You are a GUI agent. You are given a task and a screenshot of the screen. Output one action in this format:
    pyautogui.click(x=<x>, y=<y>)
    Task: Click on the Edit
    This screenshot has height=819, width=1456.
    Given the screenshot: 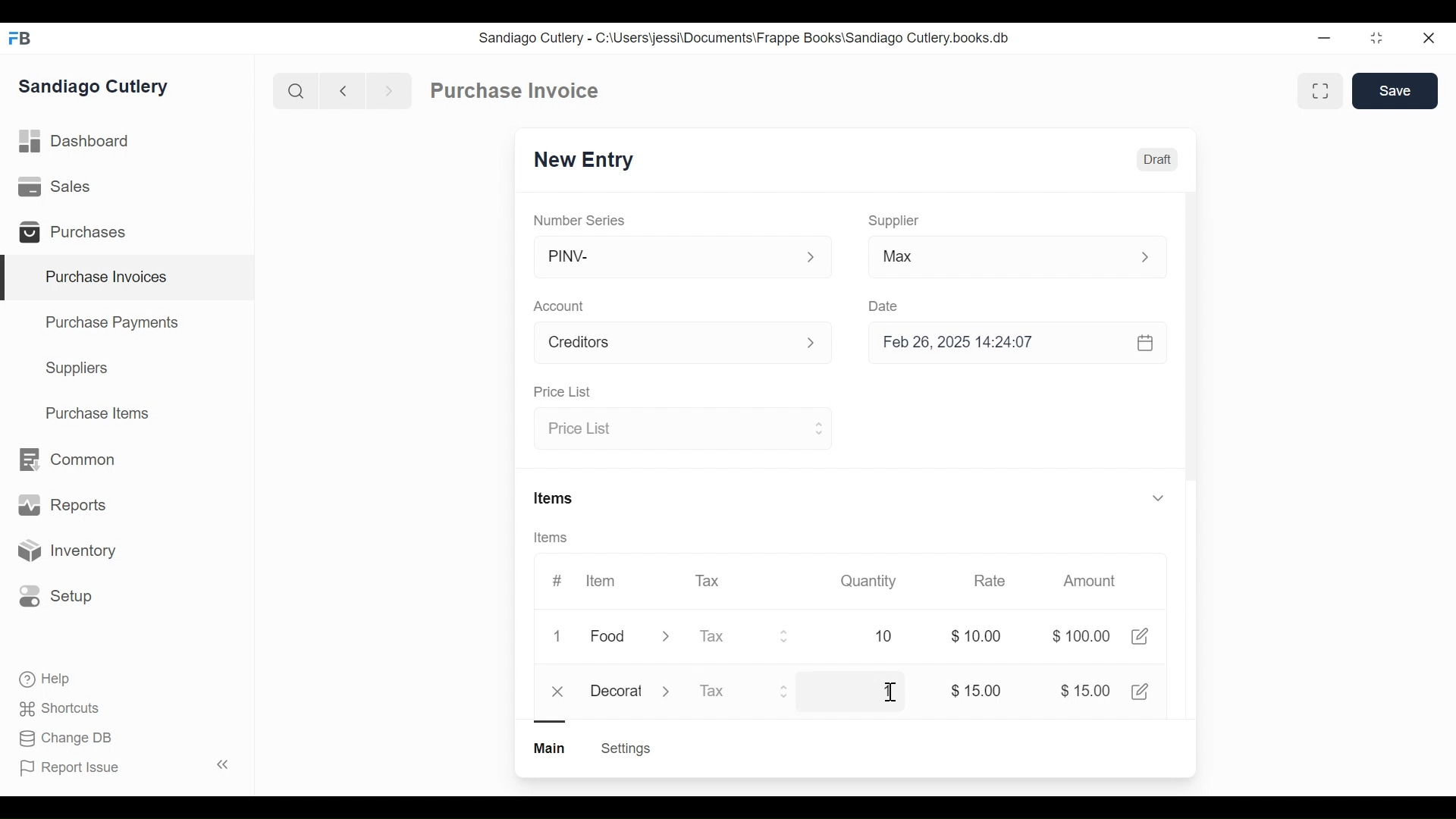 What is the action you would take?
    pyautogui.click(x=1139, y=636)
    